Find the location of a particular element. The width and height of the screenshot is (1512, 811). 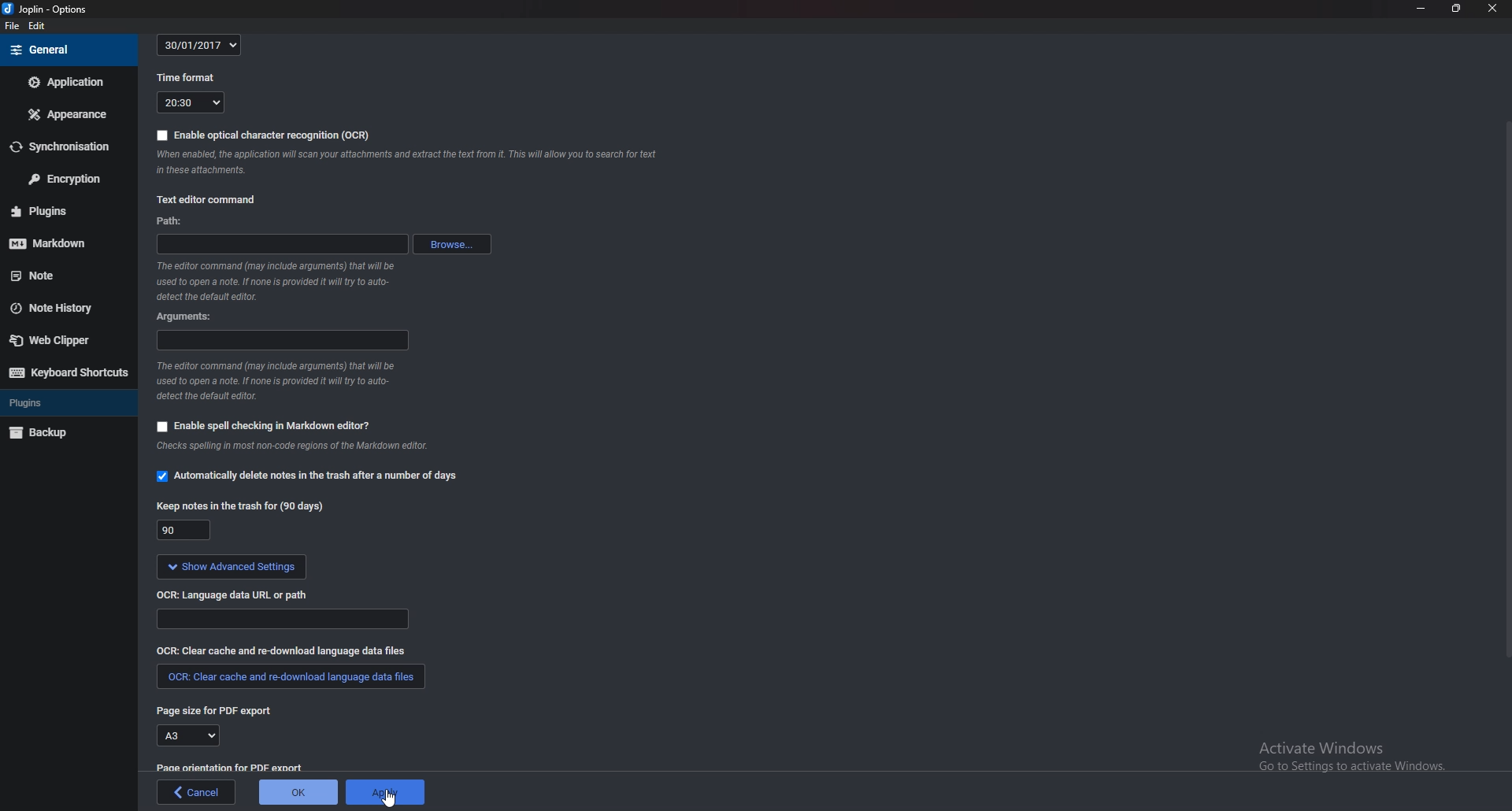

general is located at coordinates (67, 50).